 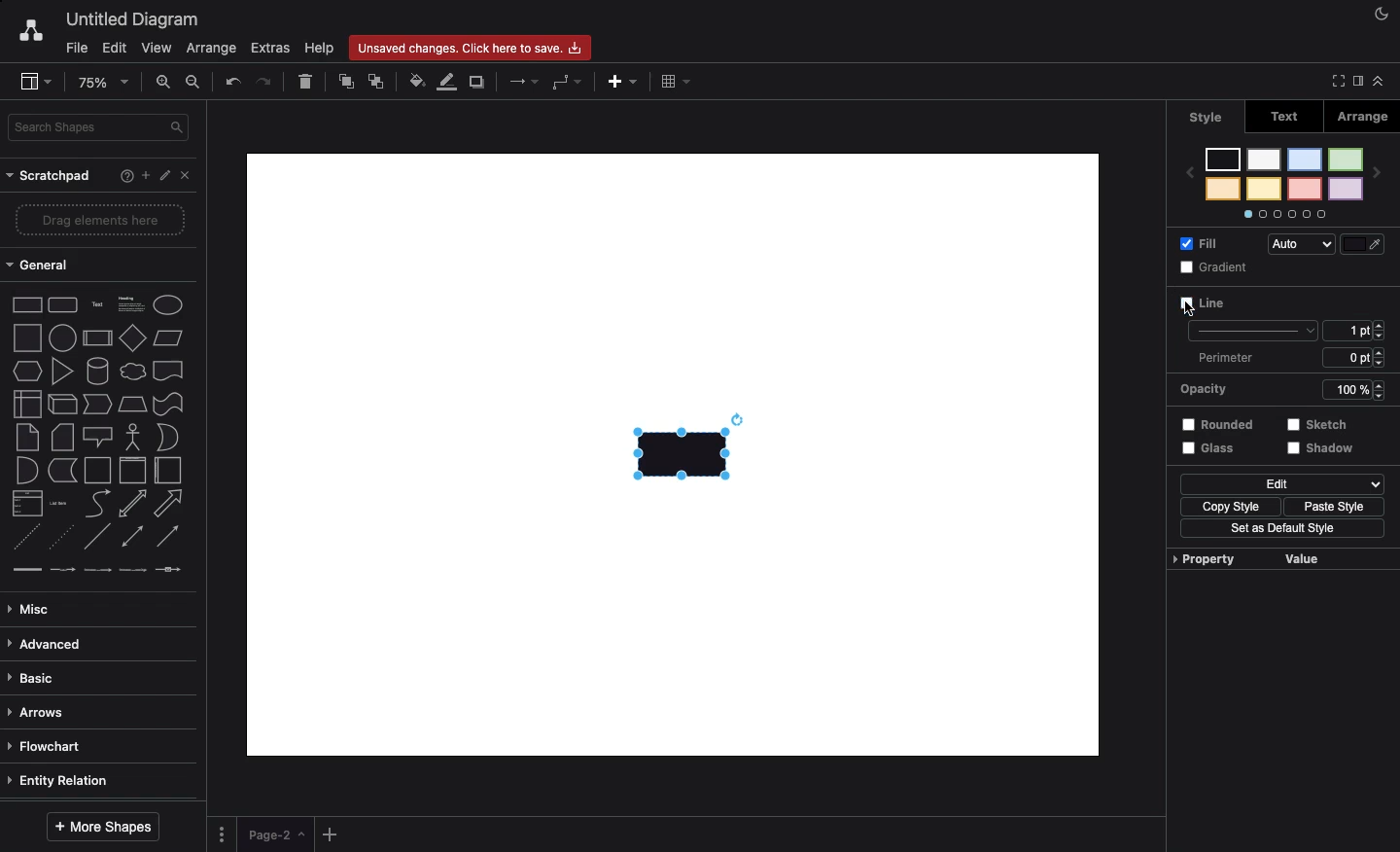 I want to click on Waypoints, so click(x=565, y=83).